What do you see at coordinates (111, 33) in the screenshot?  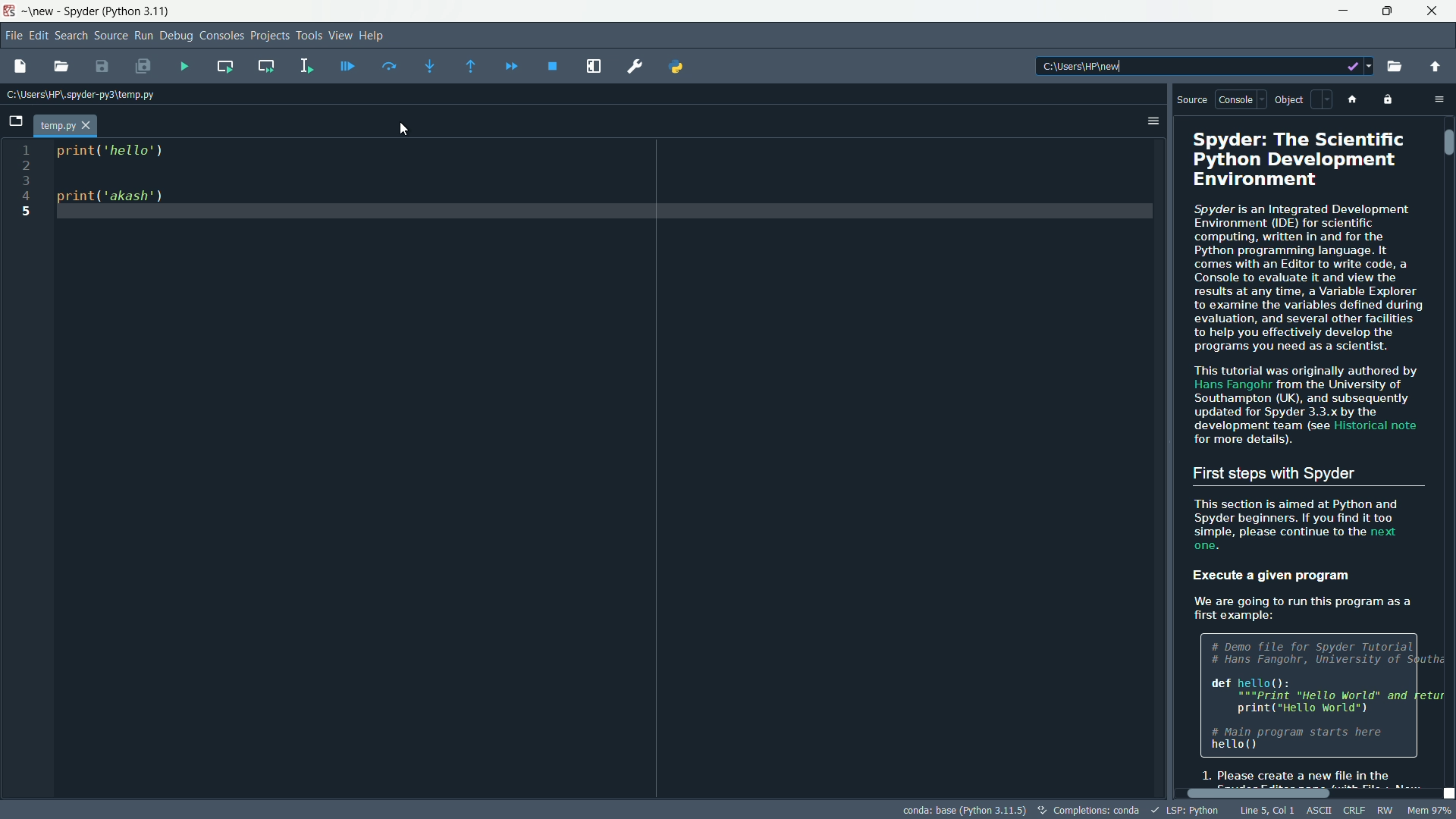 I see `source menu` at bounding box center [111, 33].